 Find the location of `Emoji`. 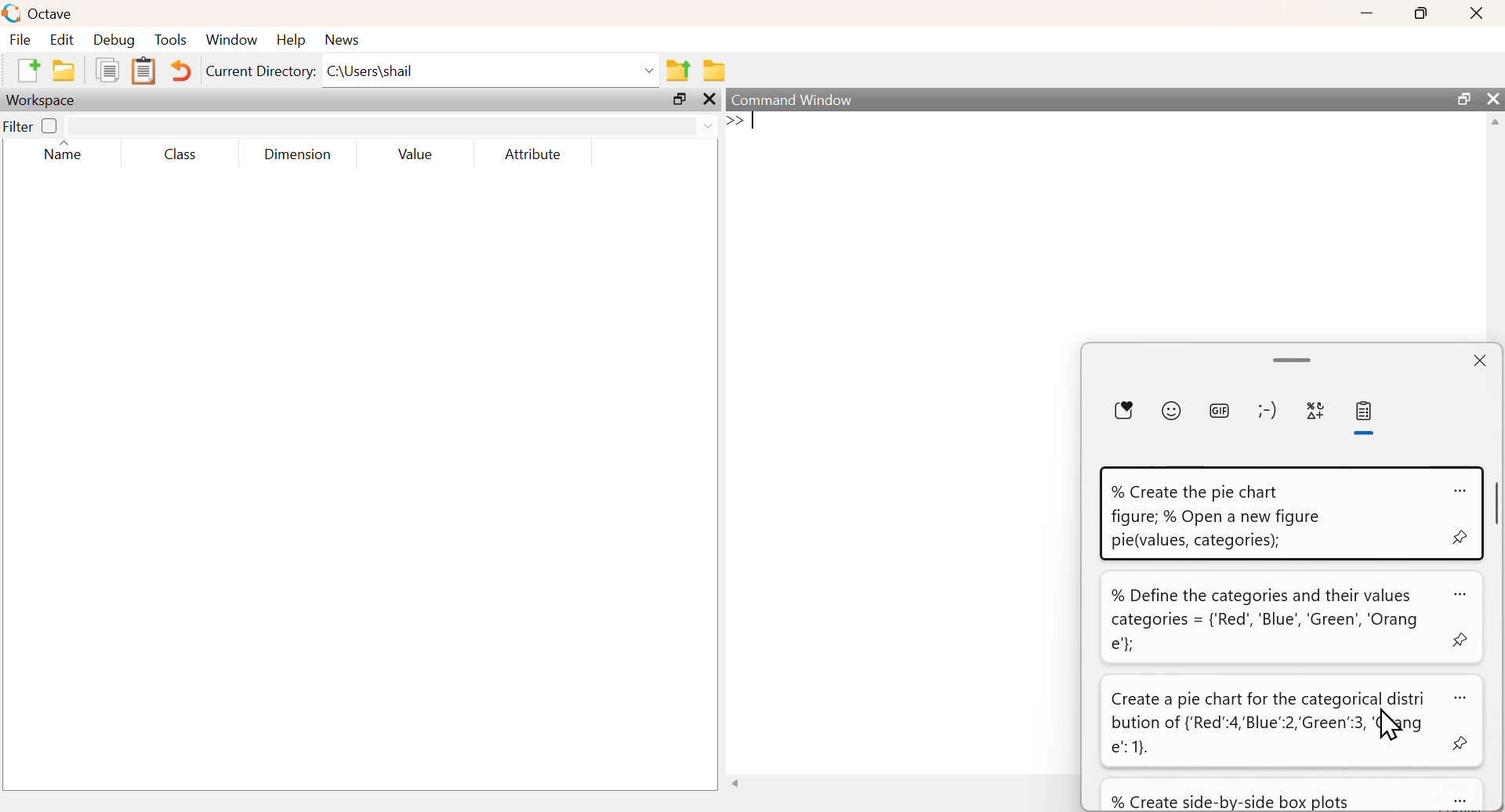

Emoji is located at coordinates (1170, 410).